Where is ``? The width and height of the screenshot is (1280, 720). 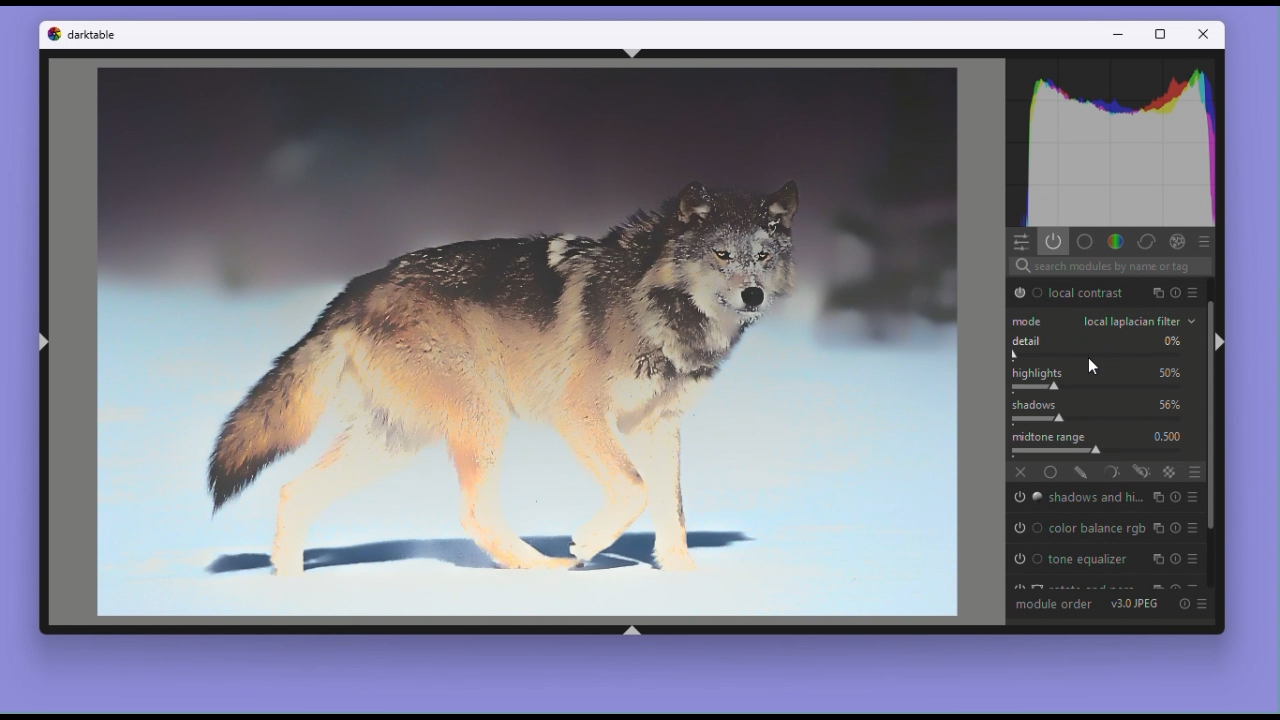
 is located at coordinates (1176, 528).